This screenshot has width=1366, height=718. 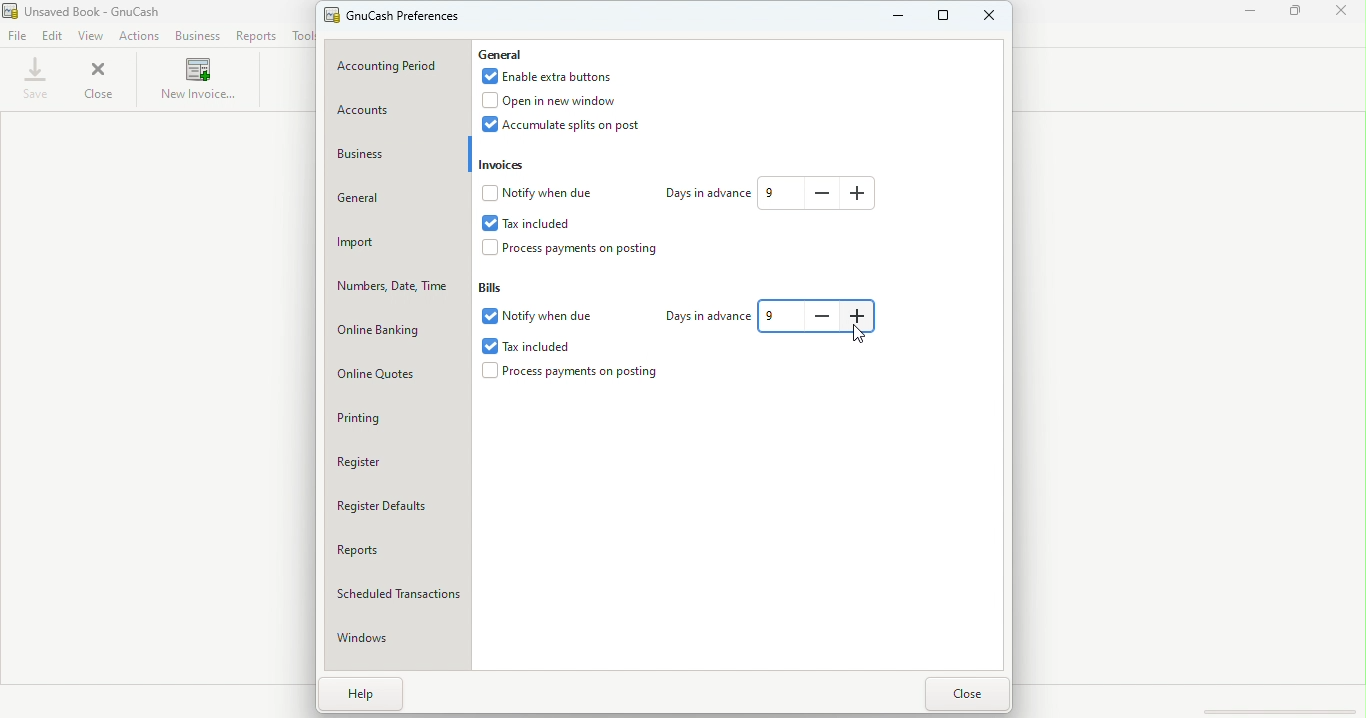 What do you see at coordinates (537, 318) in the screenshot?
I see `Notify when due` at bounding box center [537, 318].